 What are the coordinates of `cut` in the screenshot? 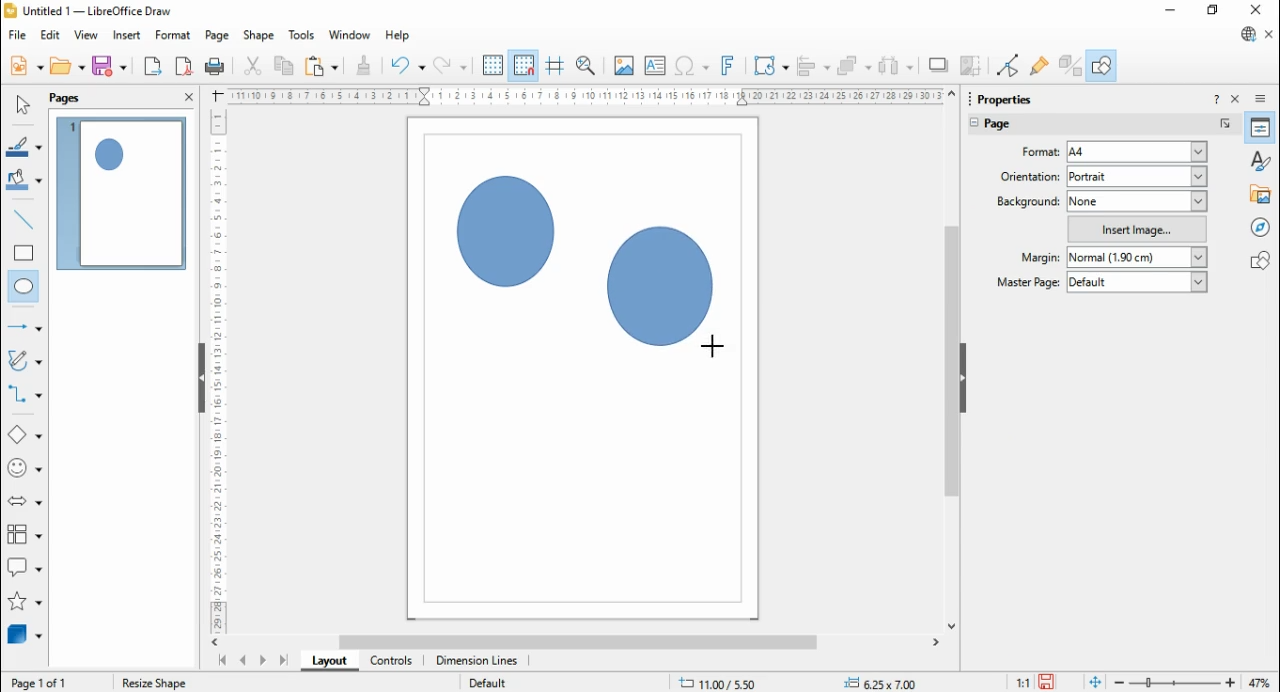 It's located at (252, 65).